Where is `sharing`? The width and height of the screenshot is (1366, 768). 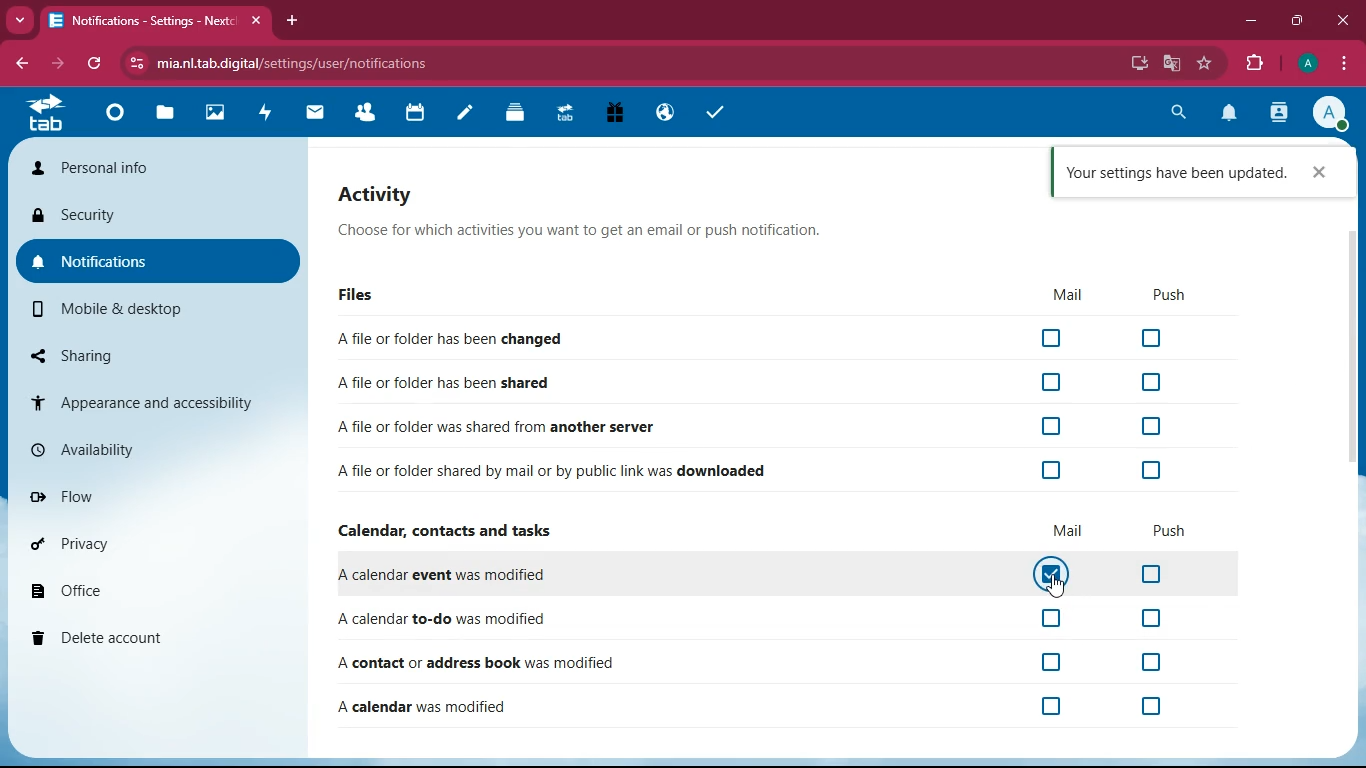
sharing is located at coordinates (152, 355).